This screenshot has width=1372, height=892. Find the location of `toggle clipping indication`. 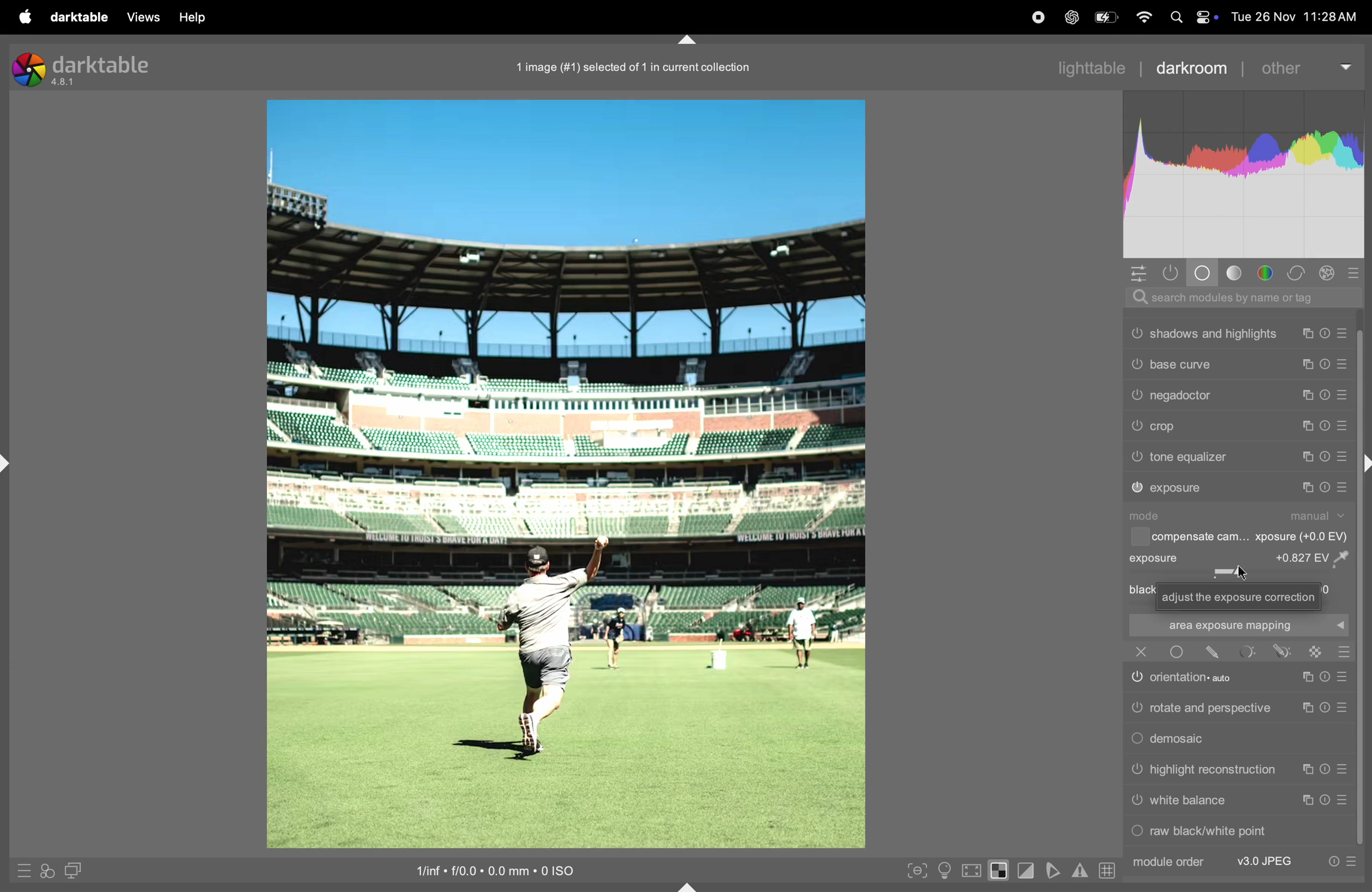

toggle clipping indication is located at coordinates (1028, 871).